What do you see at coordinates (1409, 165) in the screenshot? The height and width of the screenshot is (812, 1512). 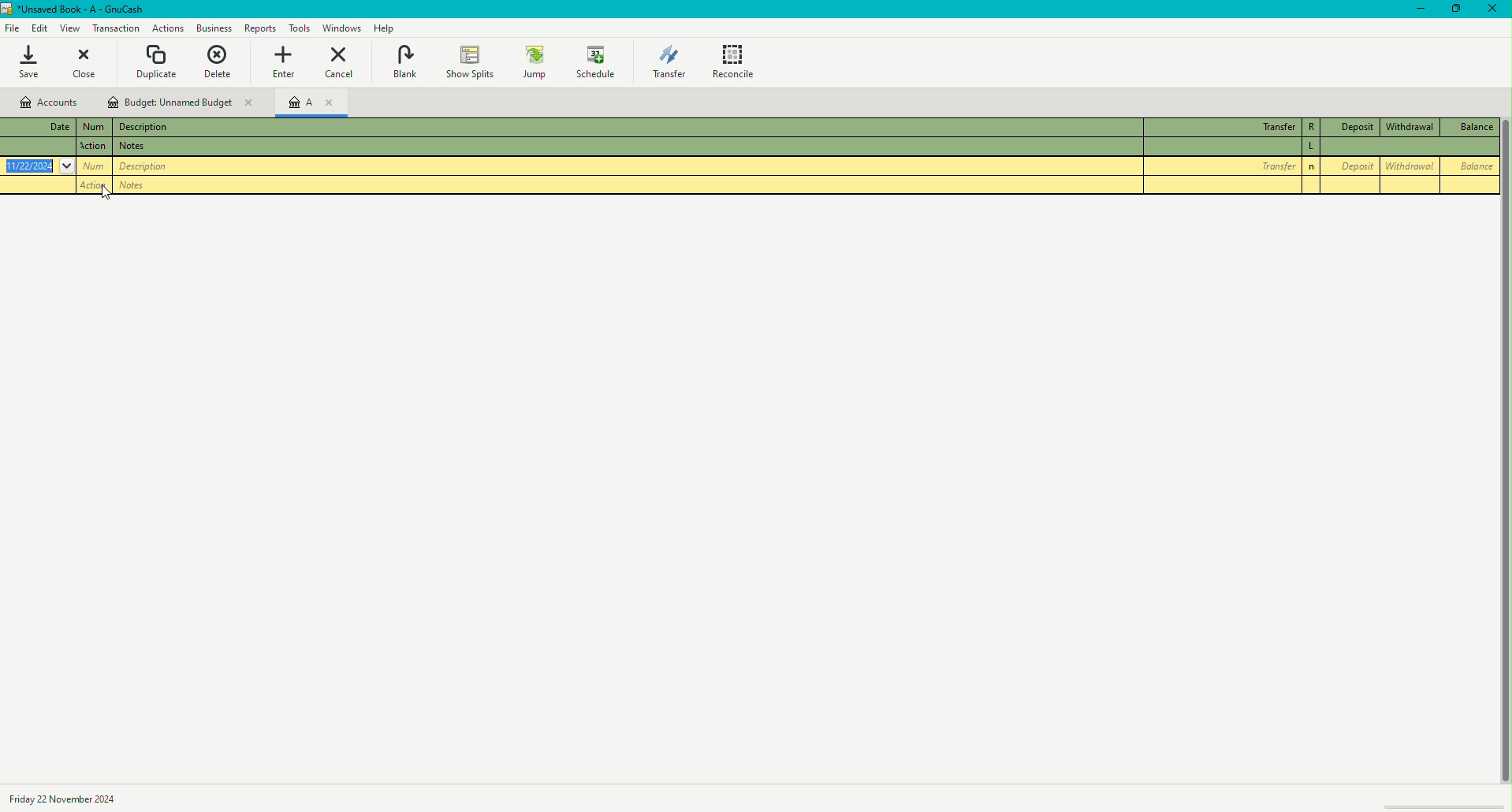 I see `Withdrawal` at bounding box center [1409, 165].